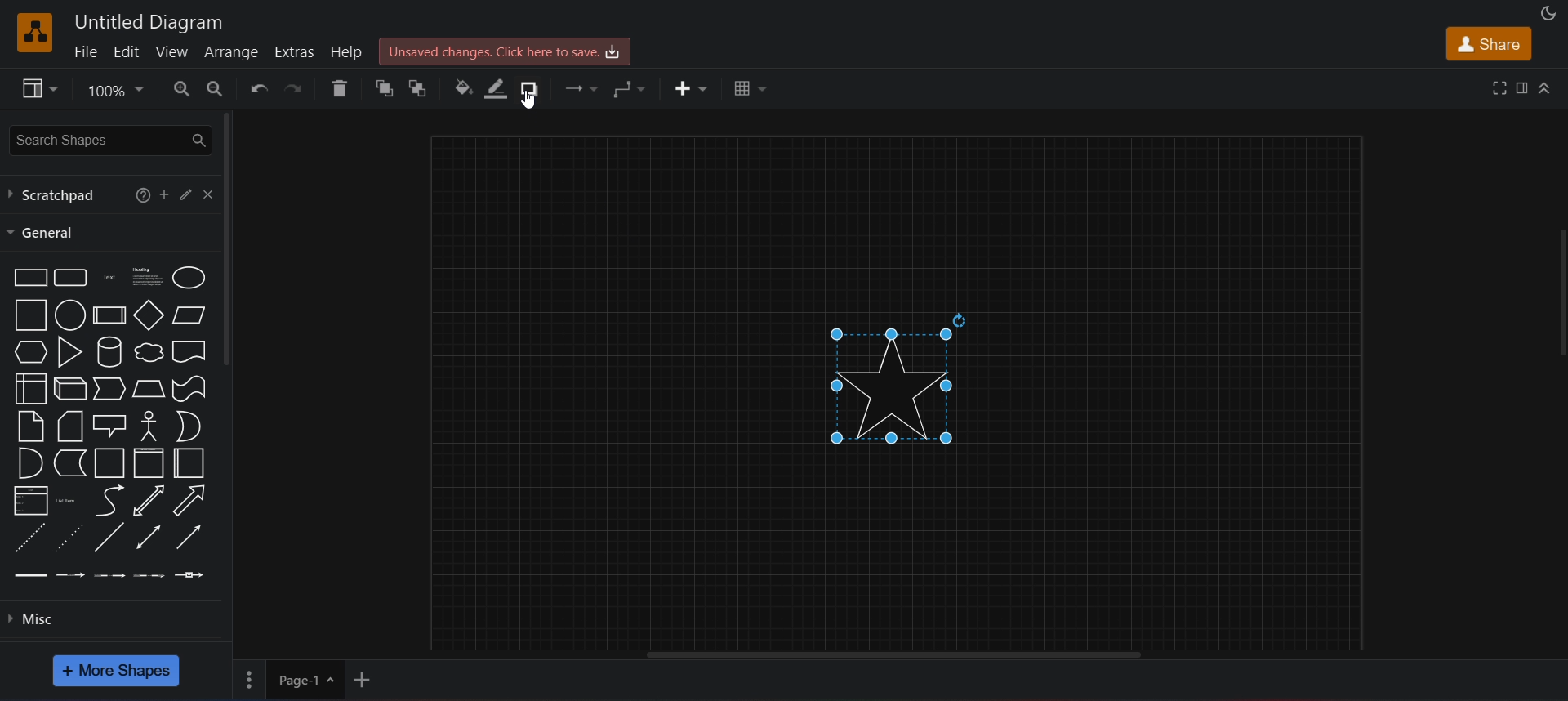 The width and height of the screenshot is (1568, 701). What do you see at coordinates (340, 90) in the screenshot?
I see `delete` at bounding box center [340, 90].